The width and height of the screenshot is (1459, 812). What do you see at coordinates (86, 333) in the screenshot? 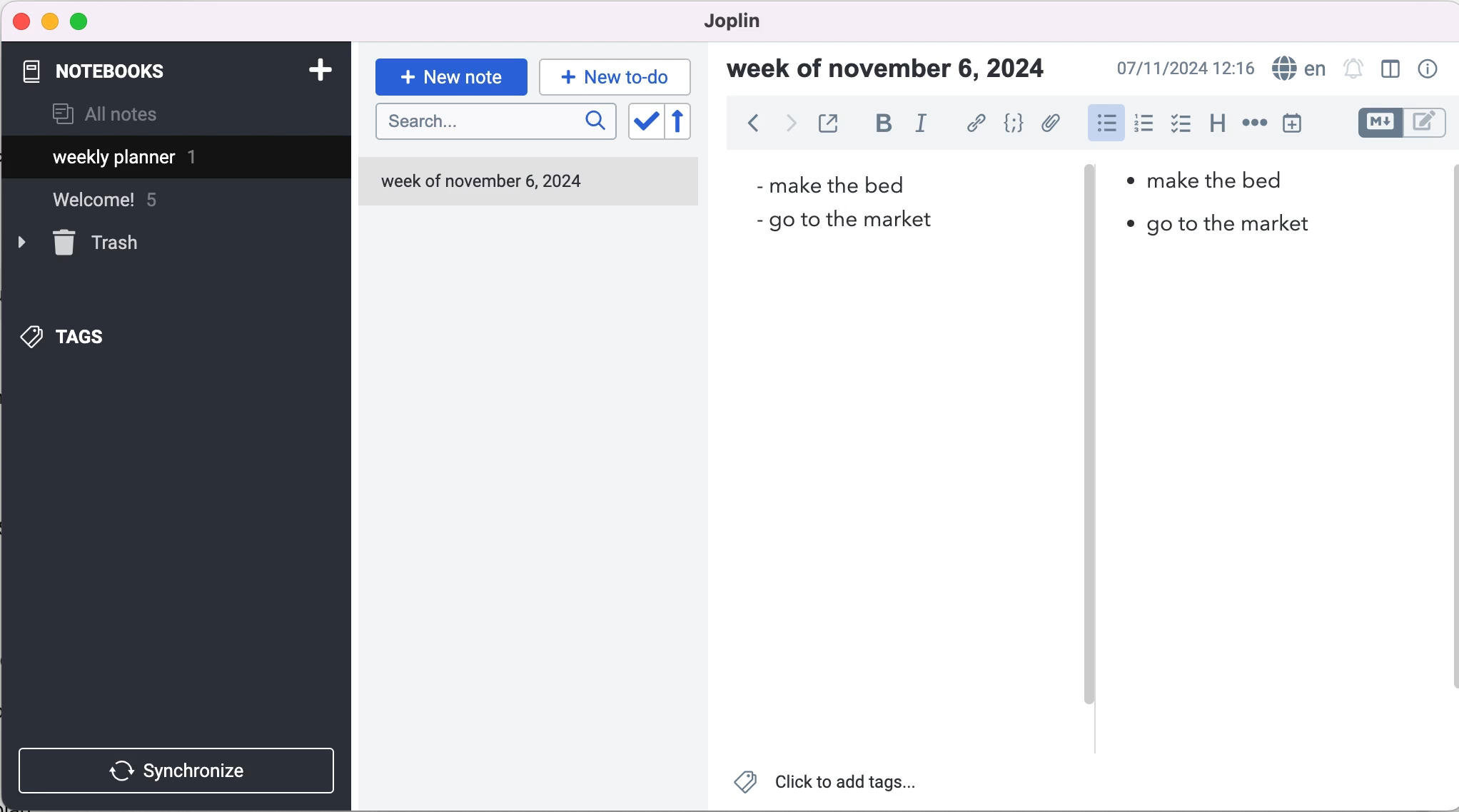
I see `tags` at bounding box center [86, 333].